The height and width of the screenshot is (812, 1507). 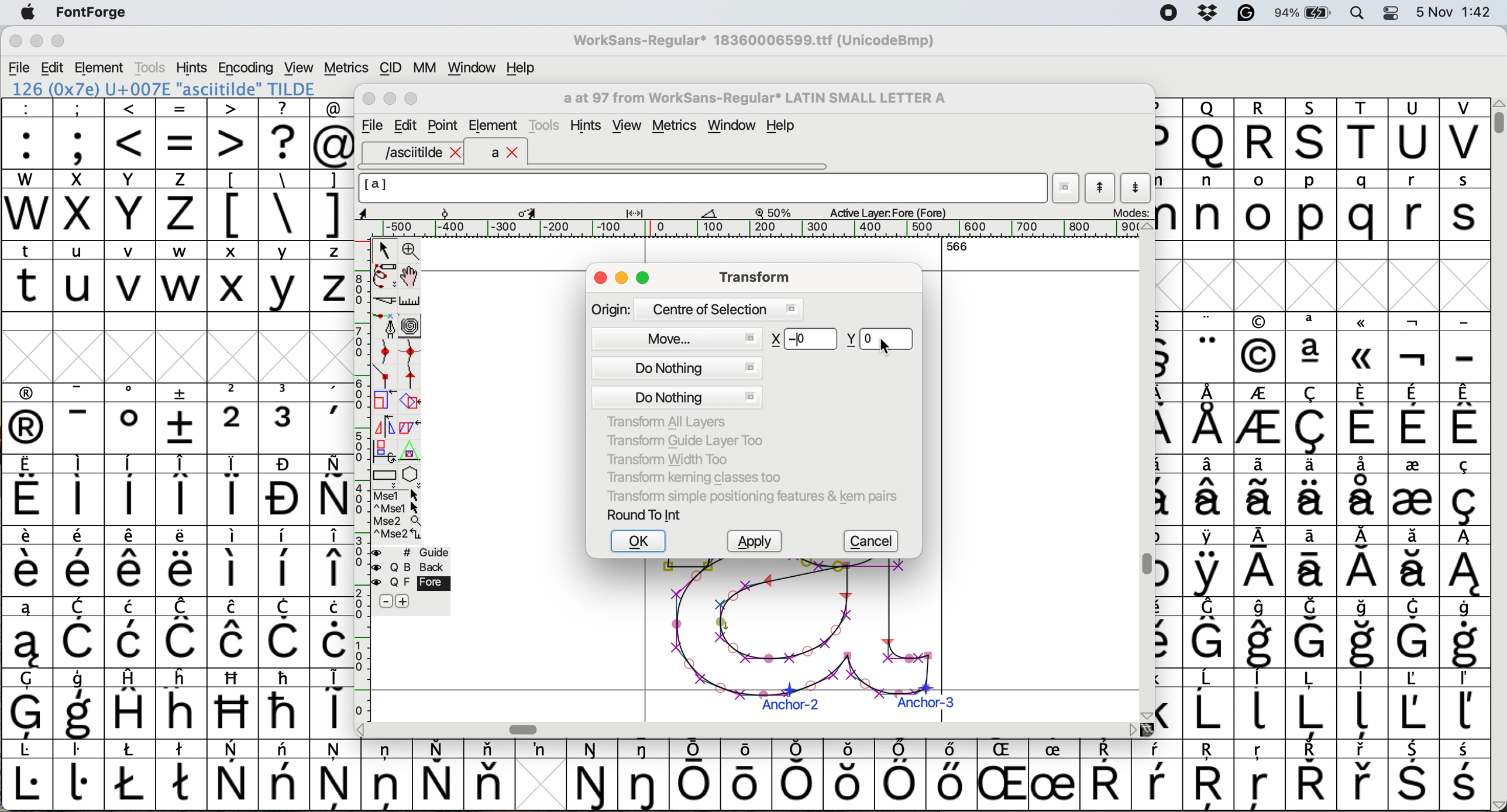 What do you see at coordinates (25, 633) in the screenshot?
I see `symbol` at bounding box center [25, 633].